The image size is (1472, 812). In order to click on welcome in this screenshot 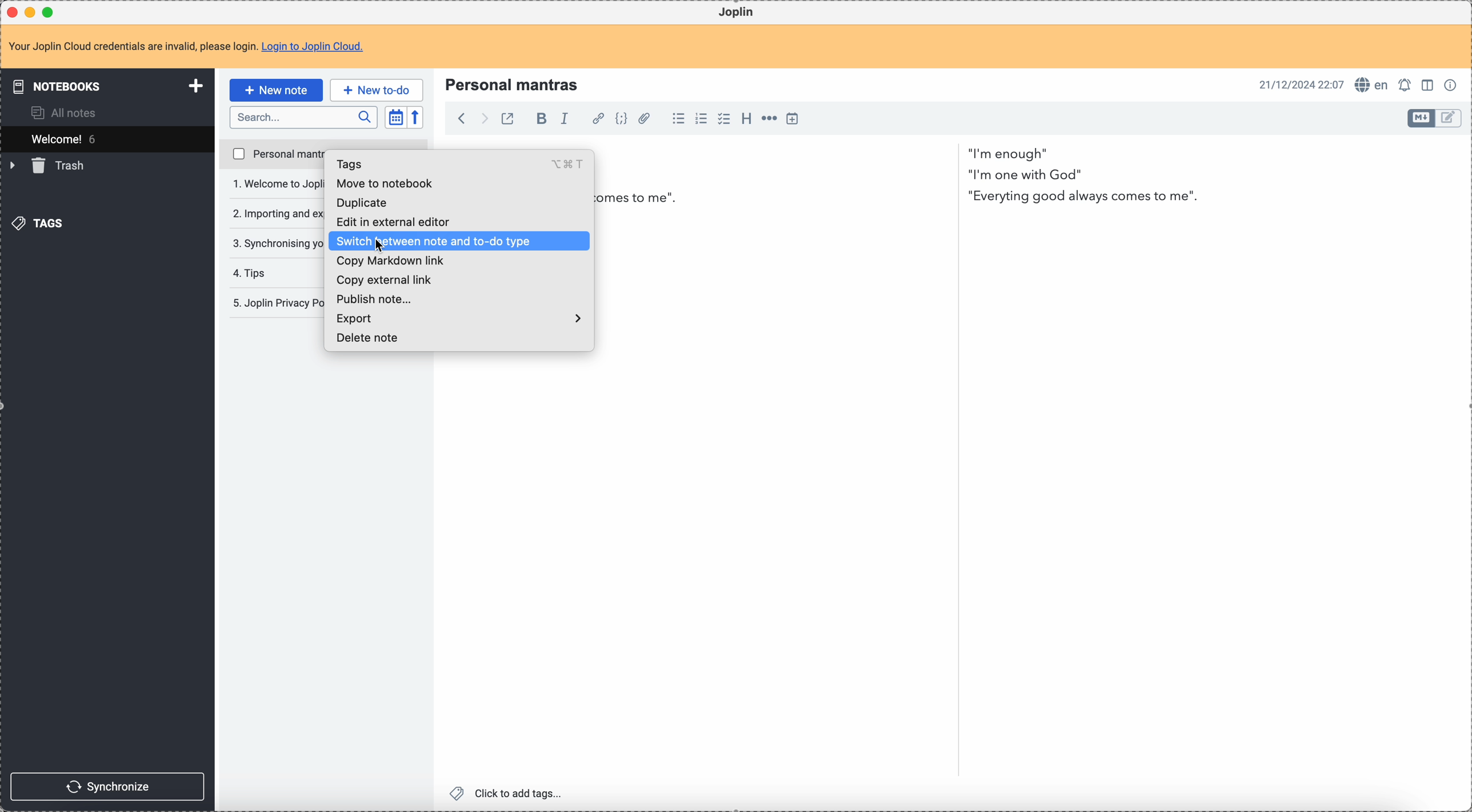, I will do `click(107, 139)`.